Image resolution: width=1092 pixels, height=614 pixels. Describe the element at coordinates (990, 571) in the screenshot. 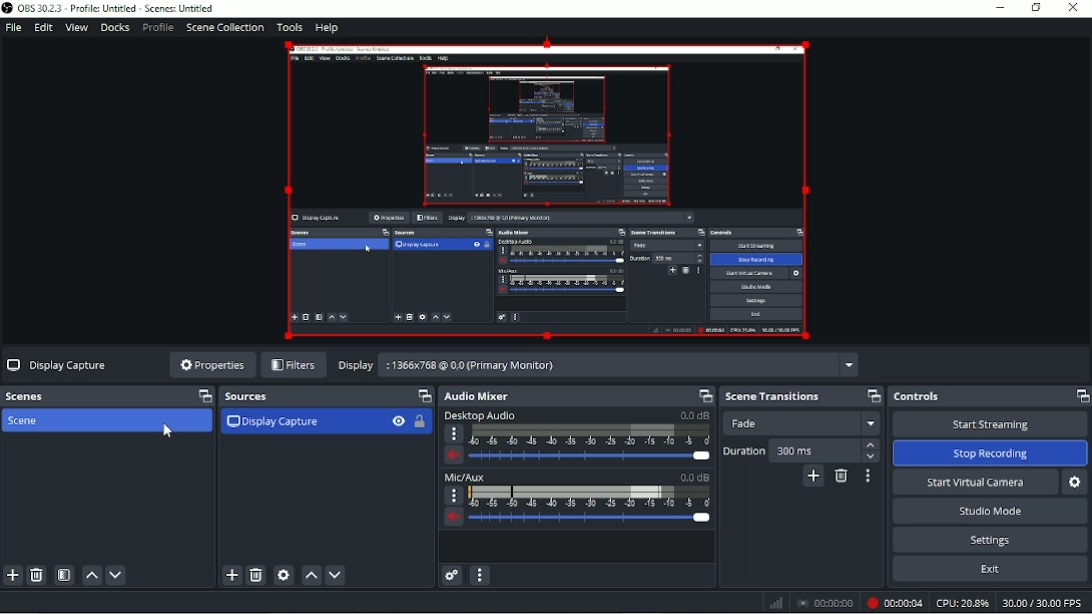

I see `Exit` at that location.